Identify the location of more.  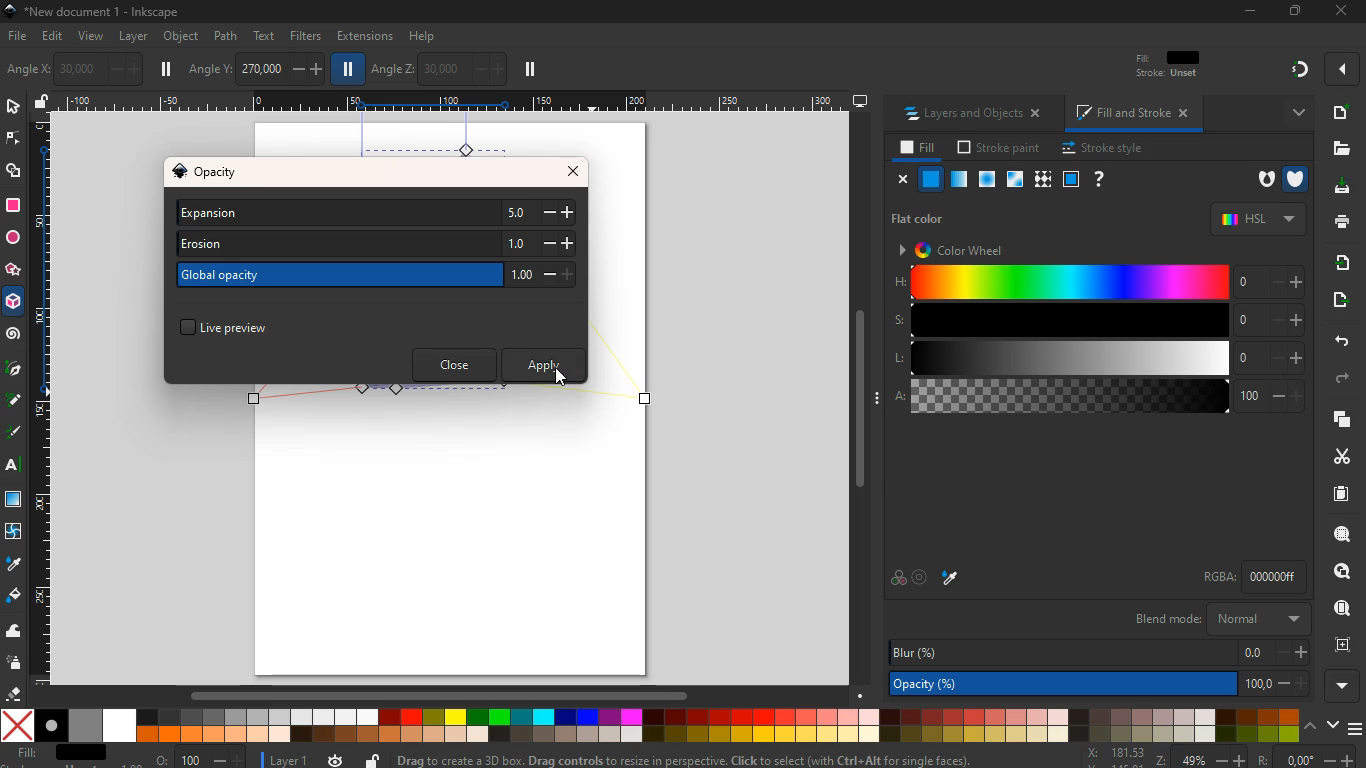
(1341, 685).